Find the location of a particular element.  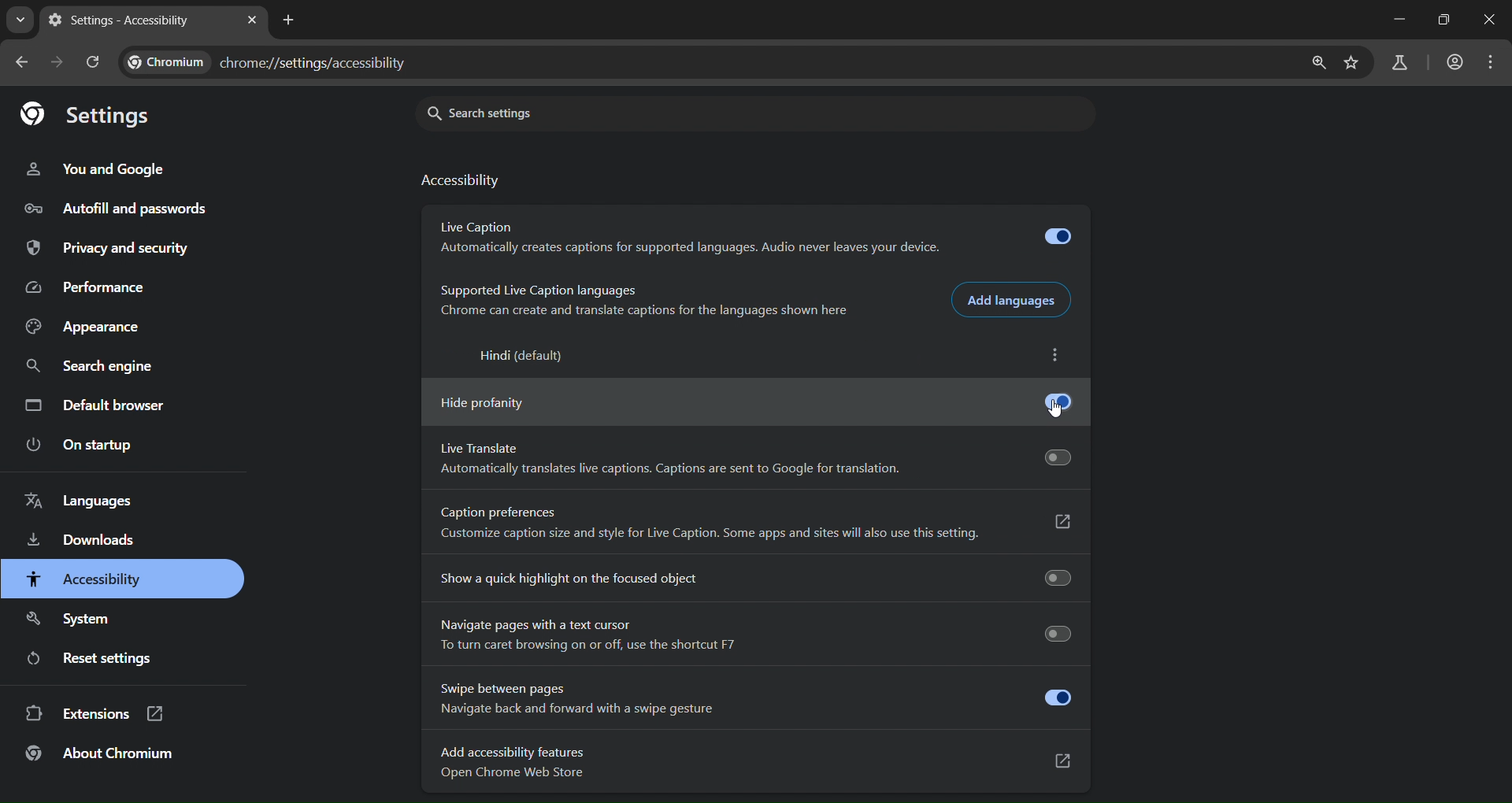

go forward one page is located at coordinates (58, 61).